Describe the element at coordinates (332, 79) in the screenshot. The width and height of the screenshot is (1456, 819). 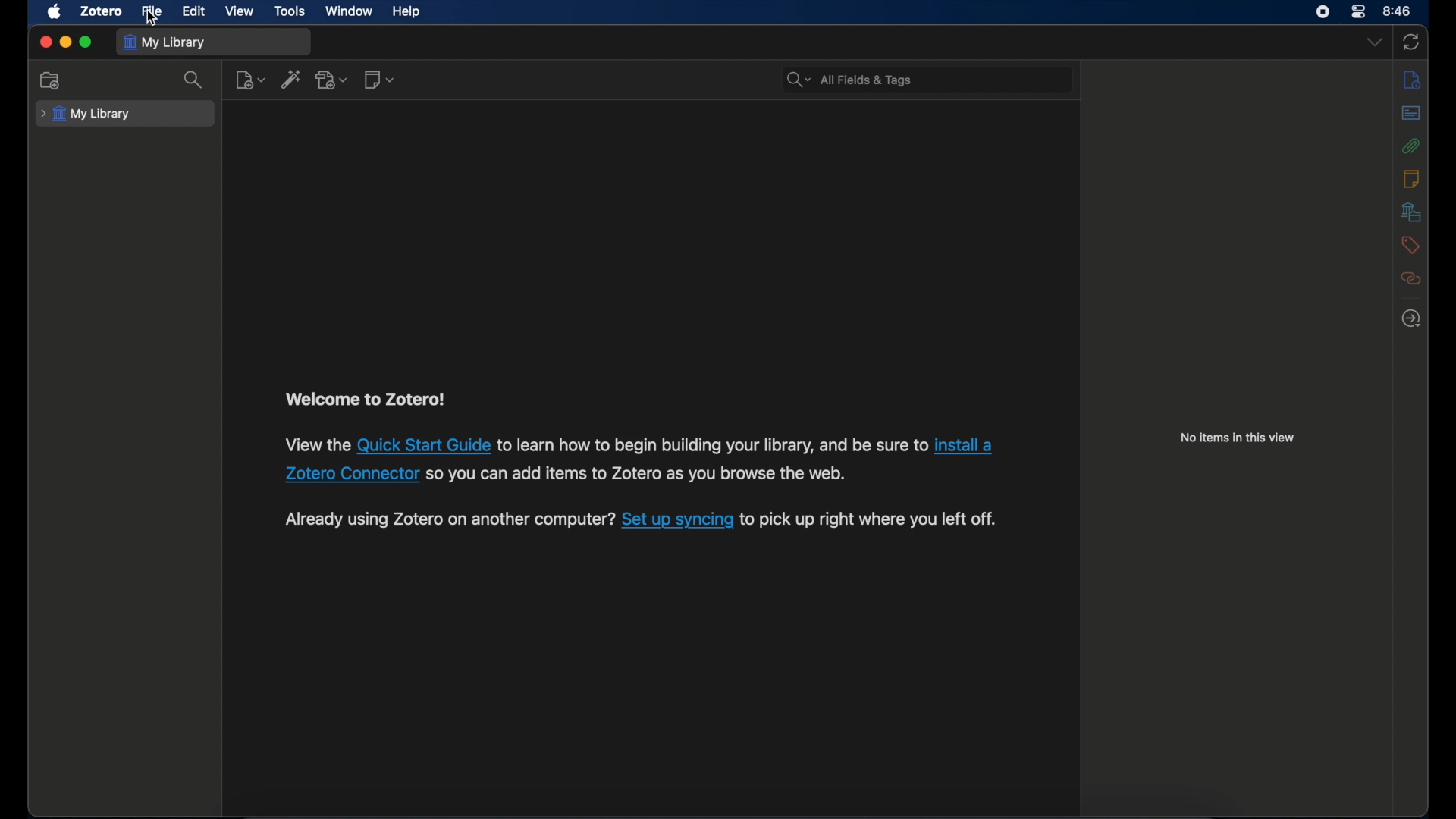
I see `add attachment` at that location.